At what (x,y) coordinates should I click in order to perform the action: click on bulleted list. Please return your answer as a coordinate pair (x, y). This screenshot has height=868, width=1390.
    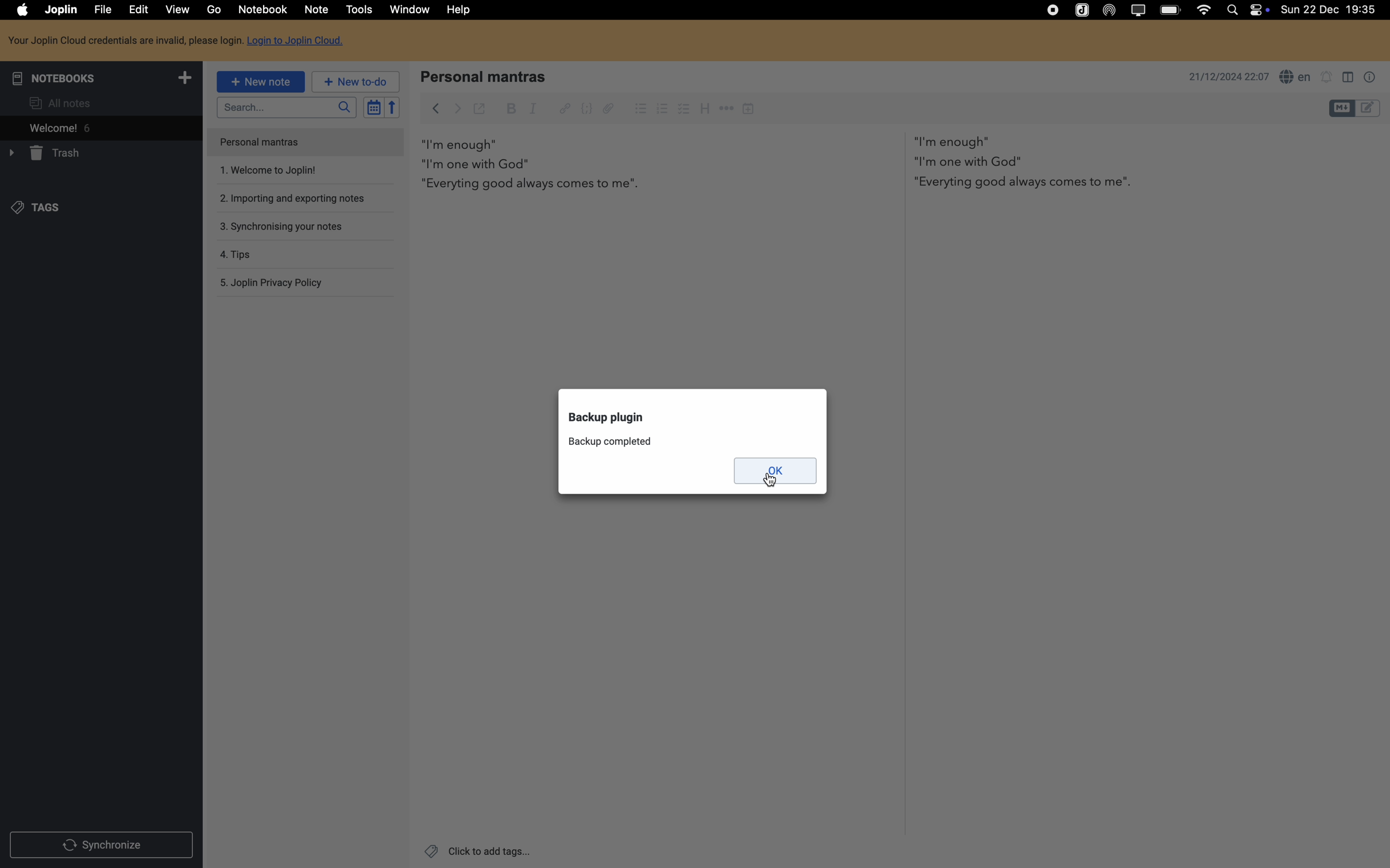
    Looking at the image, I should click on (640, 108).